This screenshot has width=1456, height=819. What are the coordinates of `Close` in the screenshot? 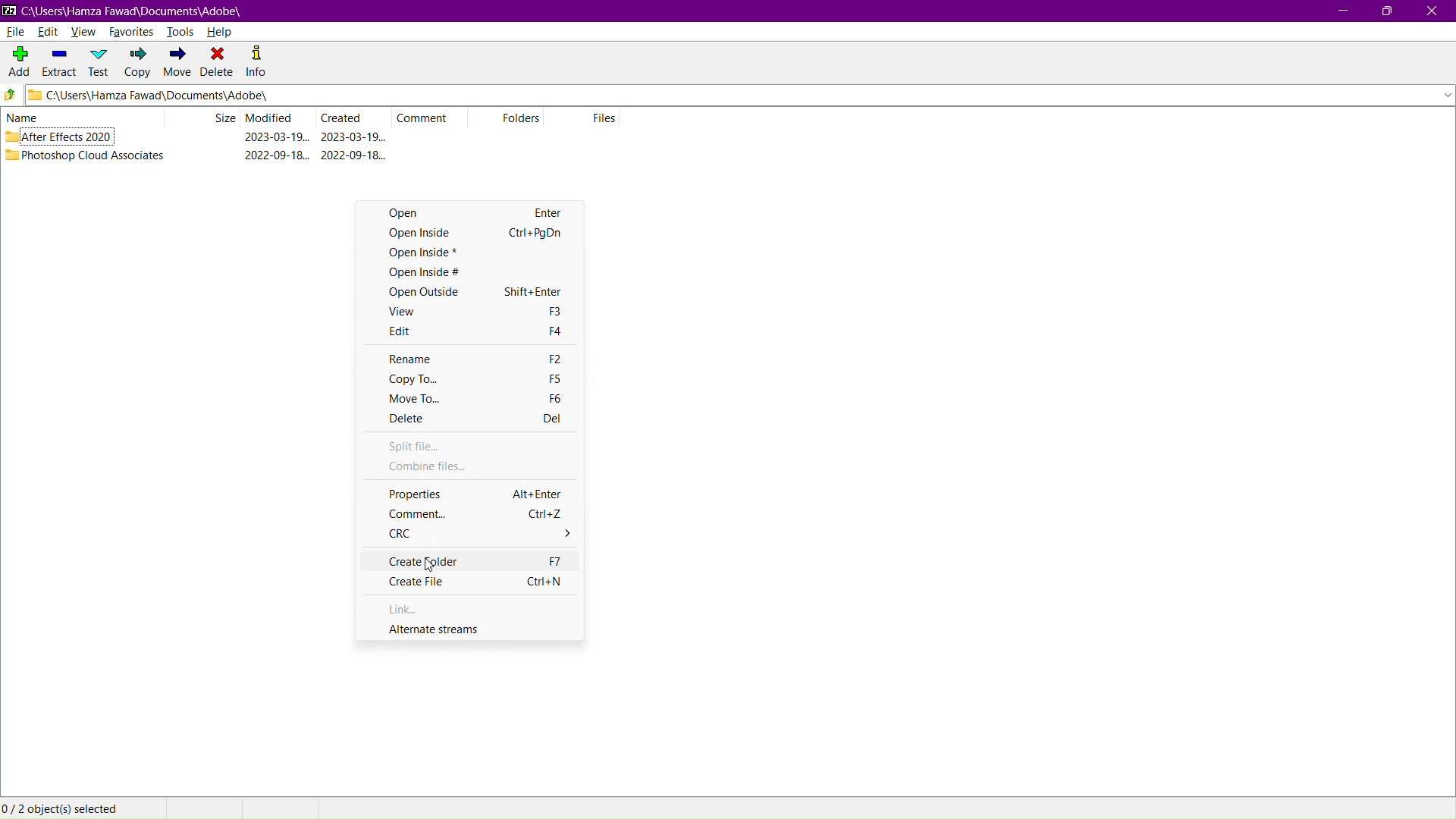 It's located at (1435, 11).